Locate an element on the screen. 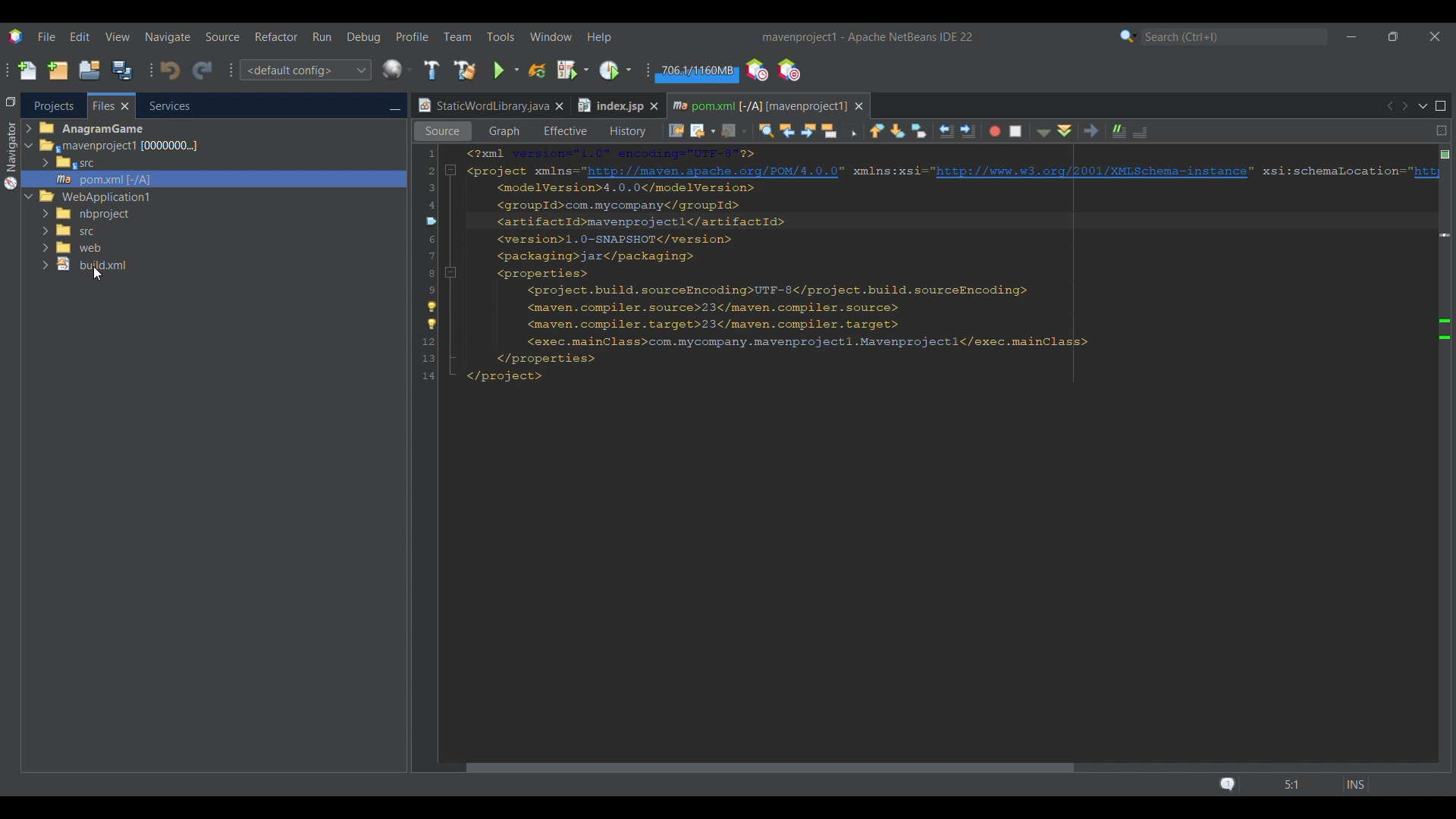 This screenshot has width=1456, height=819. Find next occurrence  is located at coordinates (808, 131).